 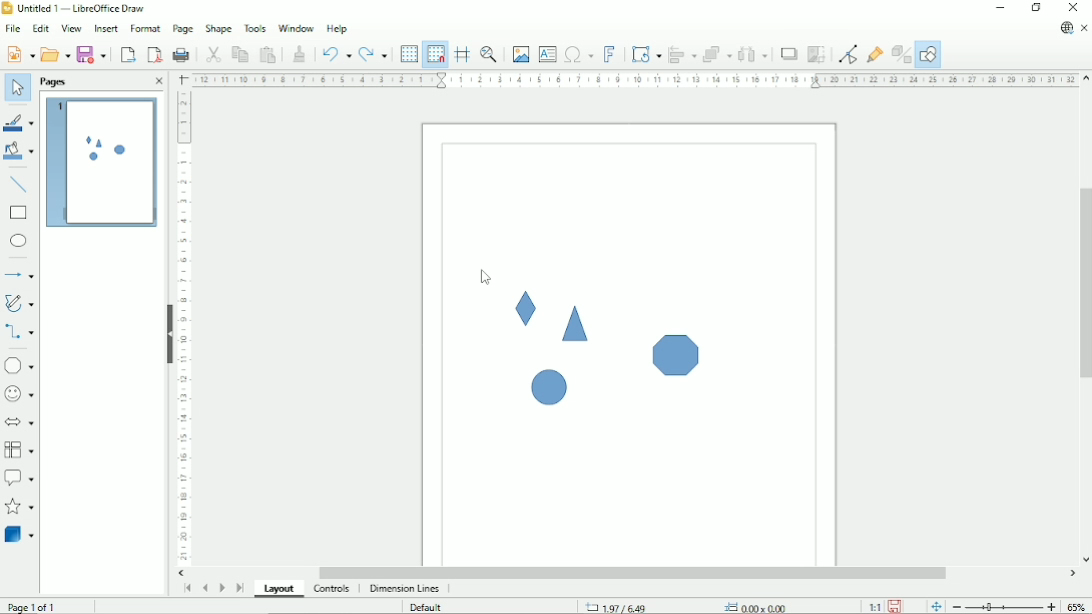 What do you see at coordinates (1085, 559) in the screenshot?
I see `Vertical scroll button` at bounding box center [1085, 559].